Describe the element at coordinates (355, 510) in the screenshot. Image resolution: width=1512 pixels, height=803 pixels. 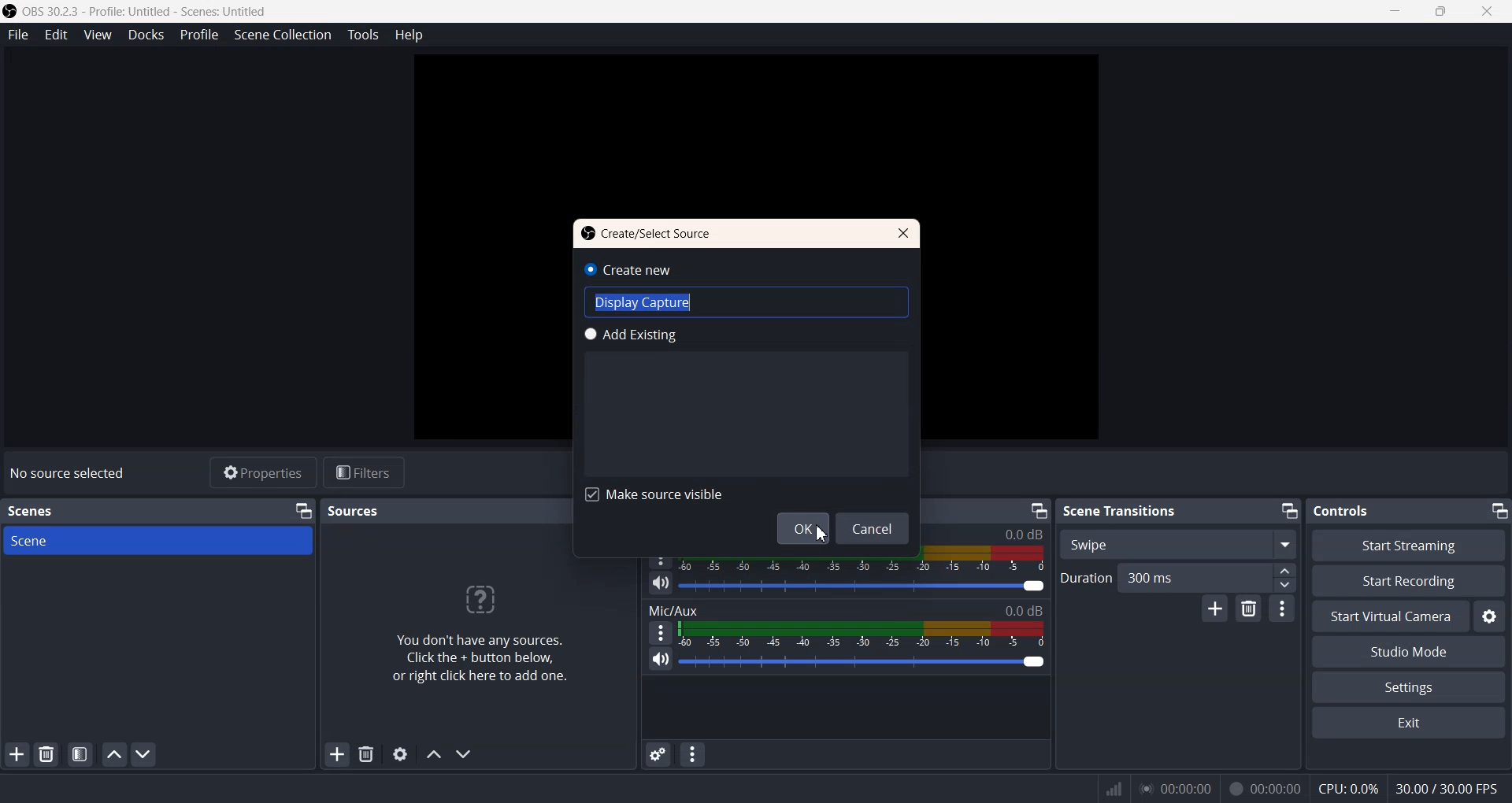
I see `Sources` at that location.